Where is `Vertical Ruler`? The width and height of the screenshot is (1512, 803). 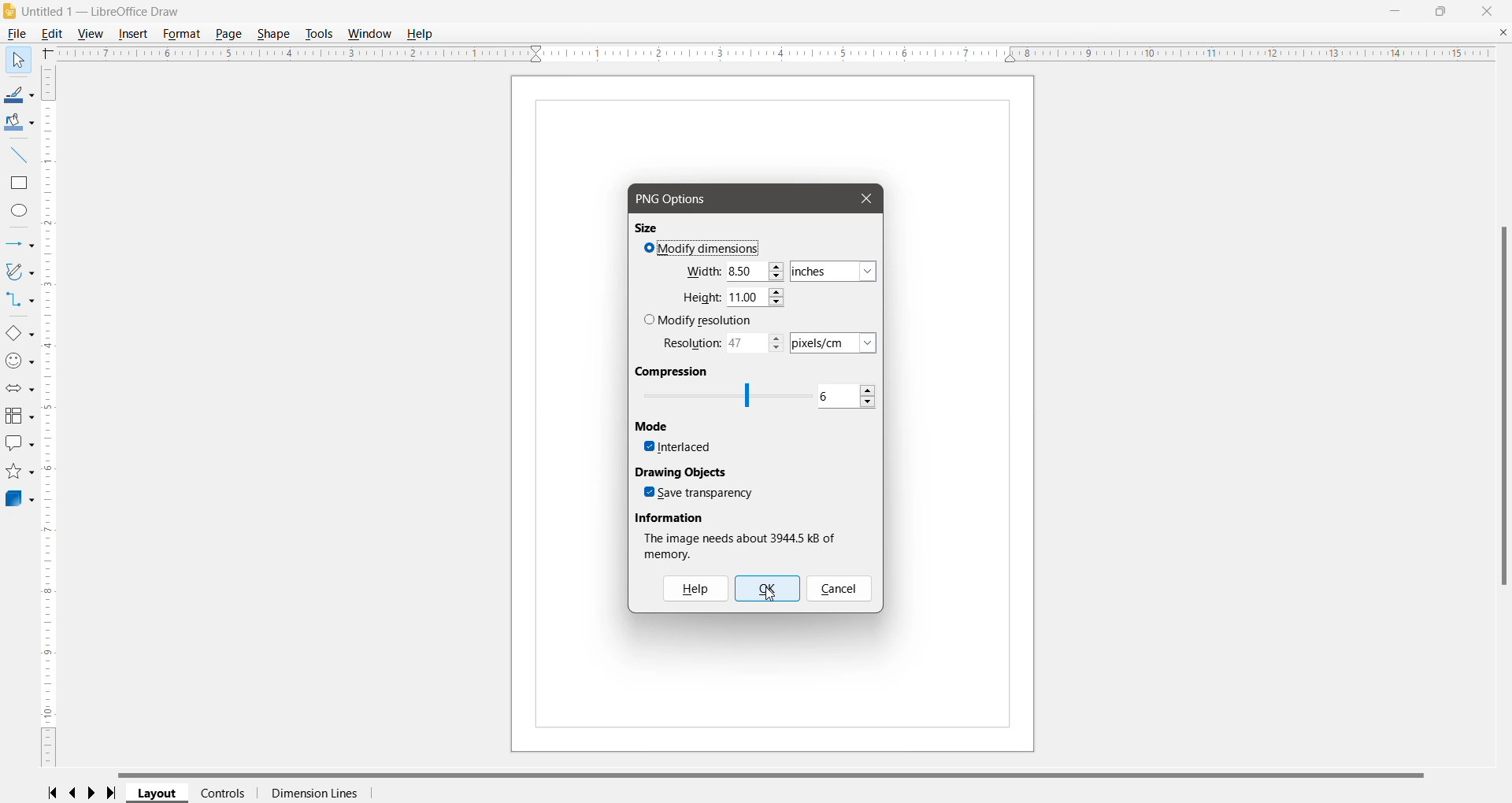
Vertical Ruler is located at coordinates (50, 415).